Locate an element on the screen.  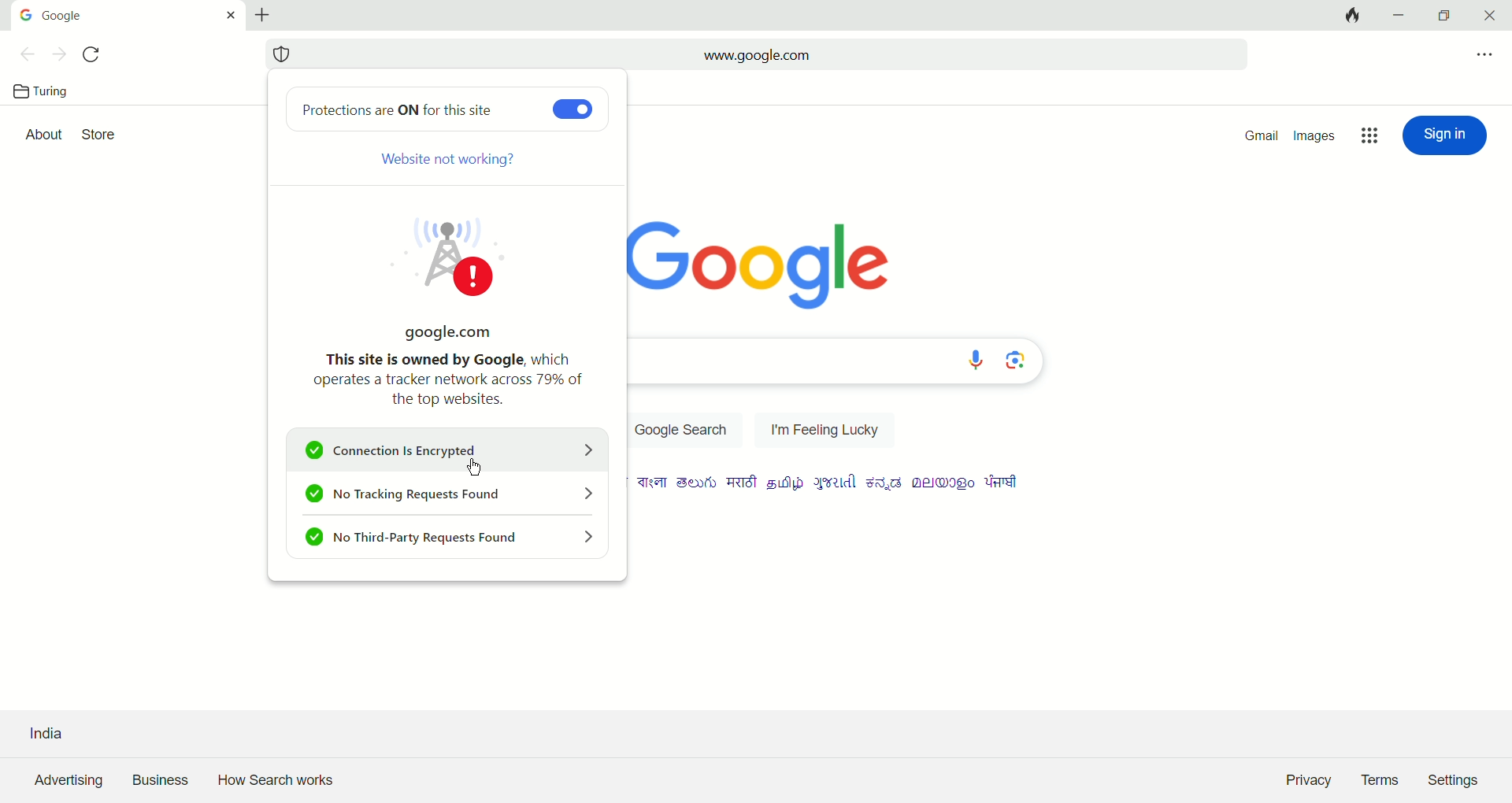
google apps is located at coordinates (1367, 135).